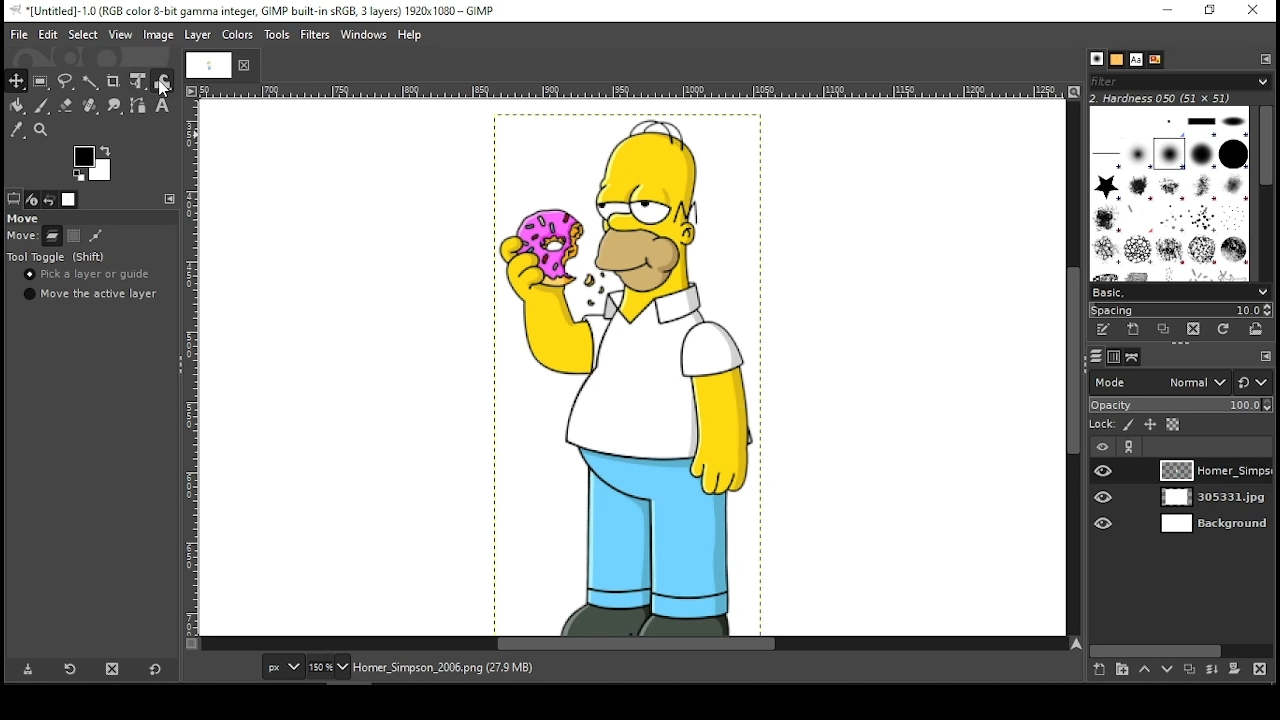  I want to click on layer 3, so click(1215, 525).